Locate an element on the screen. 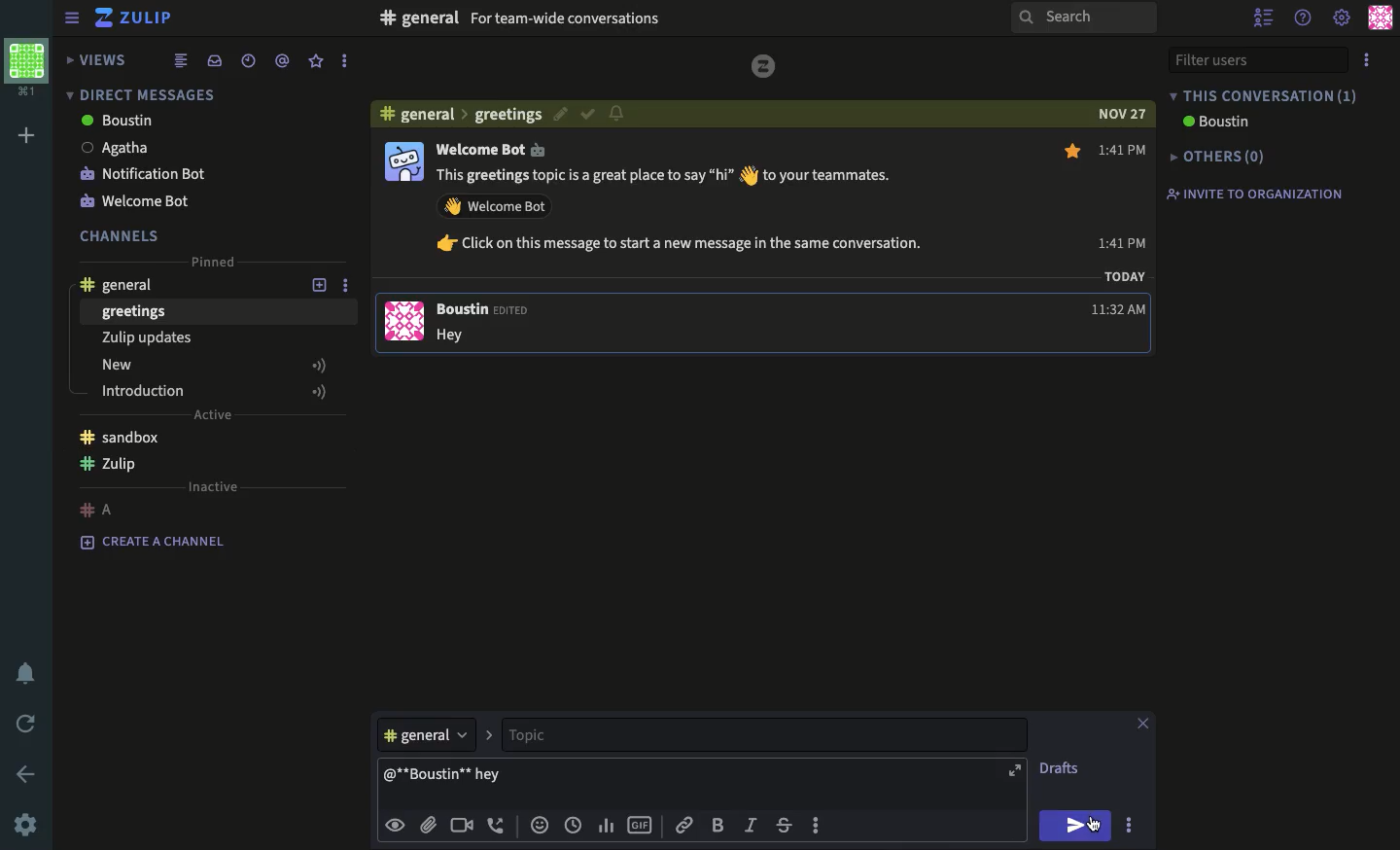  options is located at coordinates (1369, 59).